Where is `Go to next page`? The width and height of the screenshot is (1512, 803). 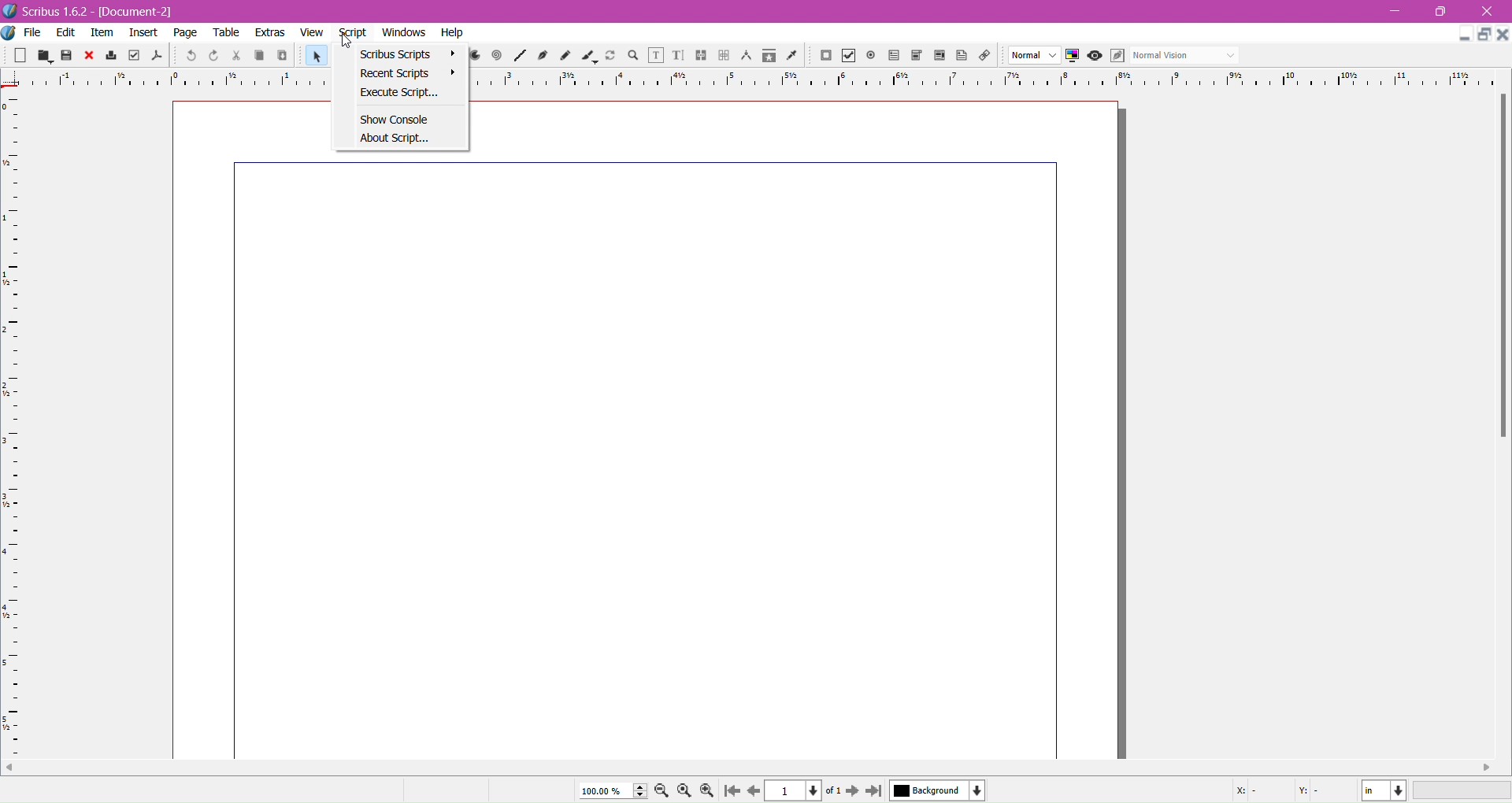
Go to next page is located at coordinates (851, 790).